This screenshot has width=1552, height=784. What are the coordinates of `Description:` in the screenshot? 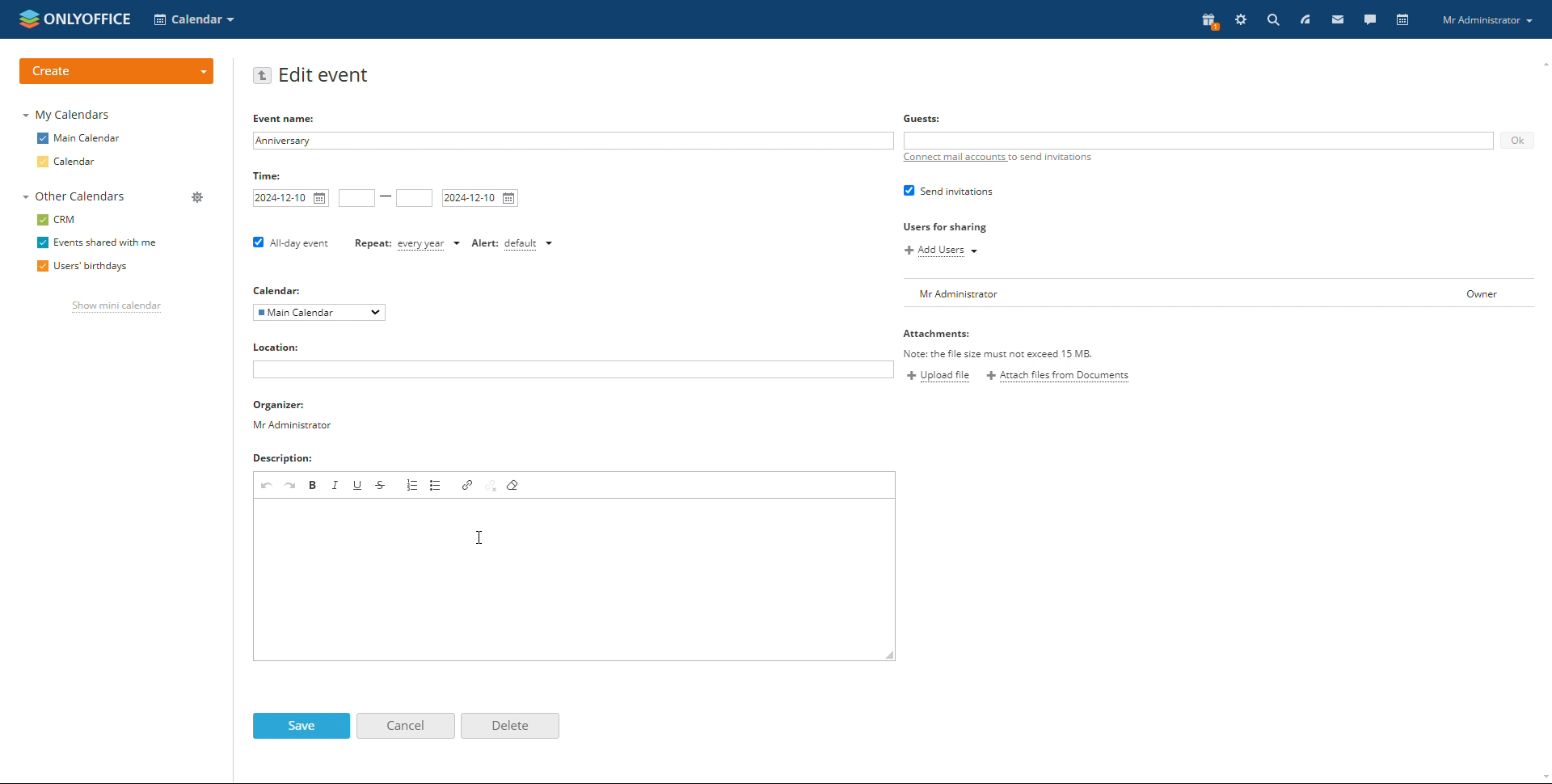 It's located at (286, 458).